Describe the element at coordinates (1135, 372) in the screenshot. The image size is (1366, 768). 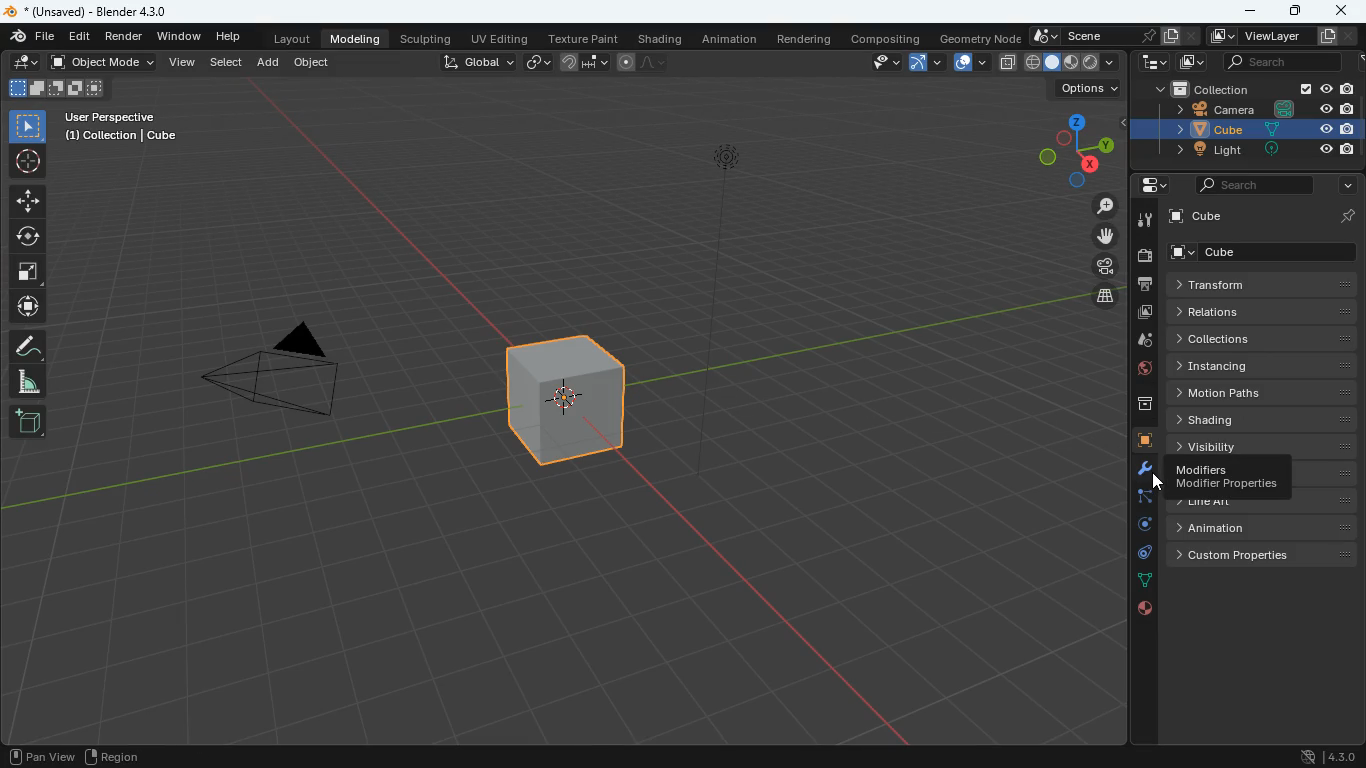
I see `globe` at that location.